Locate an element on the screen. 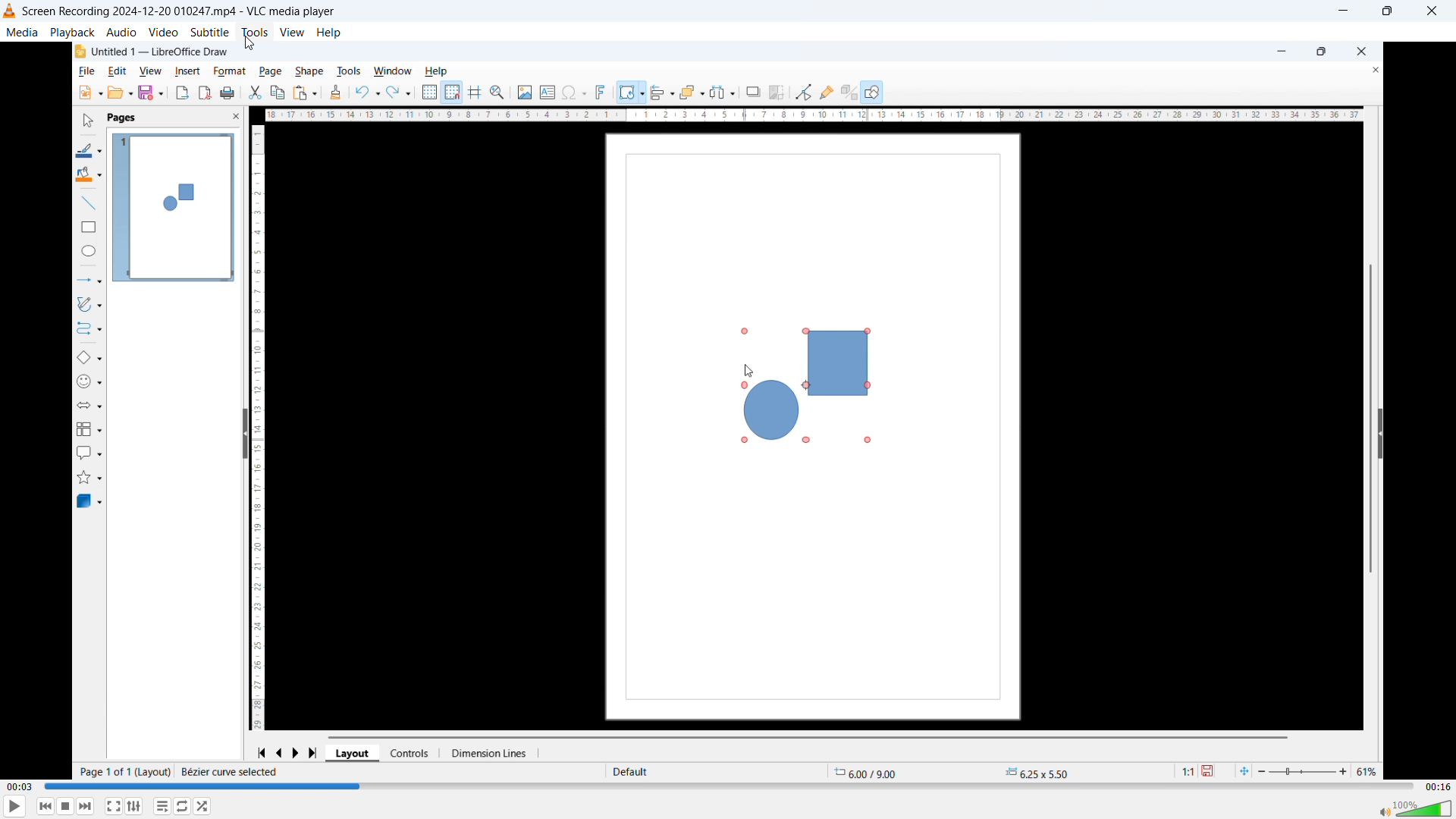  forward or next media  is located at coordinates (85, 807).